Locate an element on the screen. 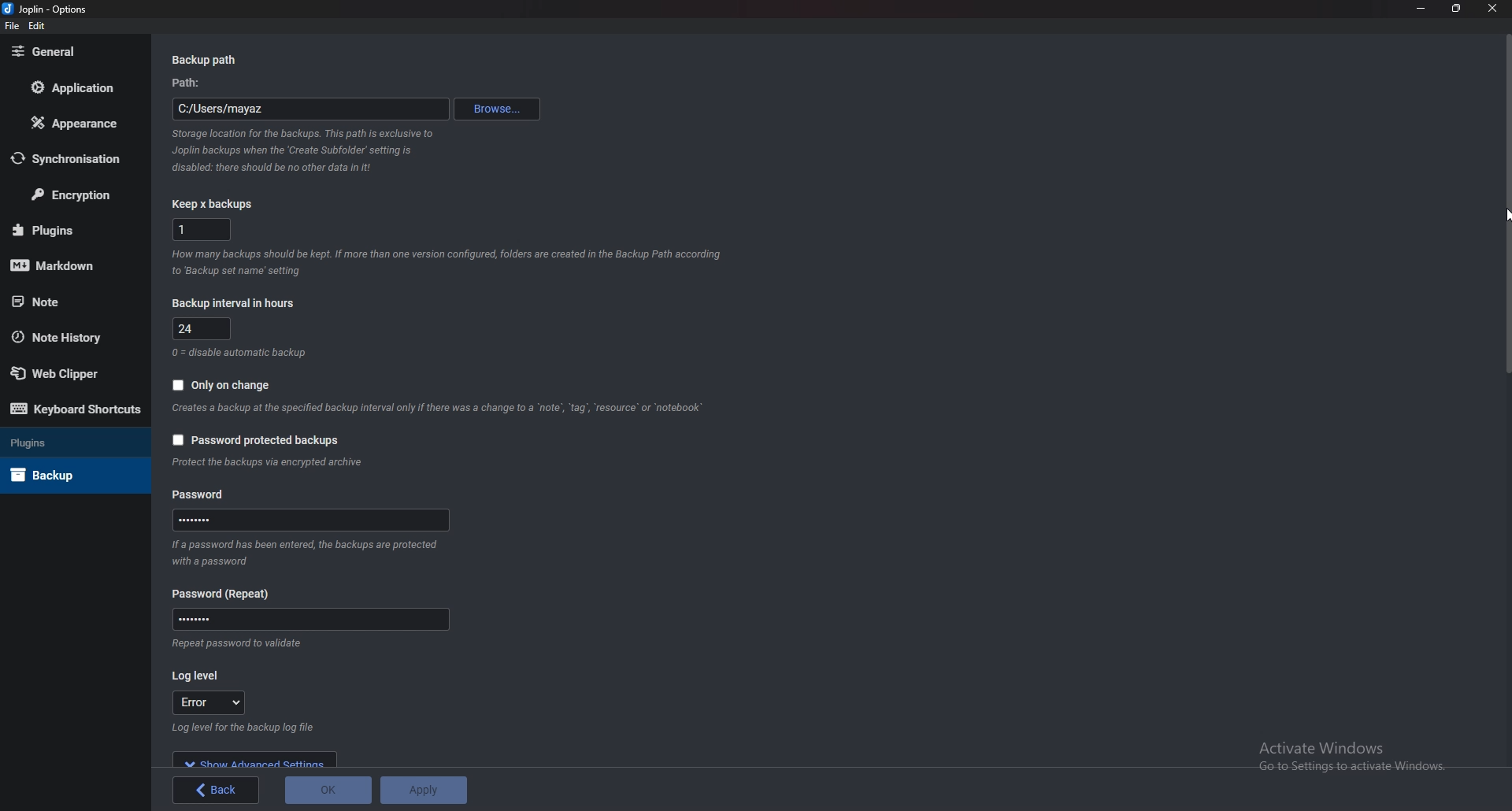 Image resolution: width=1512 pixels, height=811 pixels. Info is located at coordinates (246, 352).